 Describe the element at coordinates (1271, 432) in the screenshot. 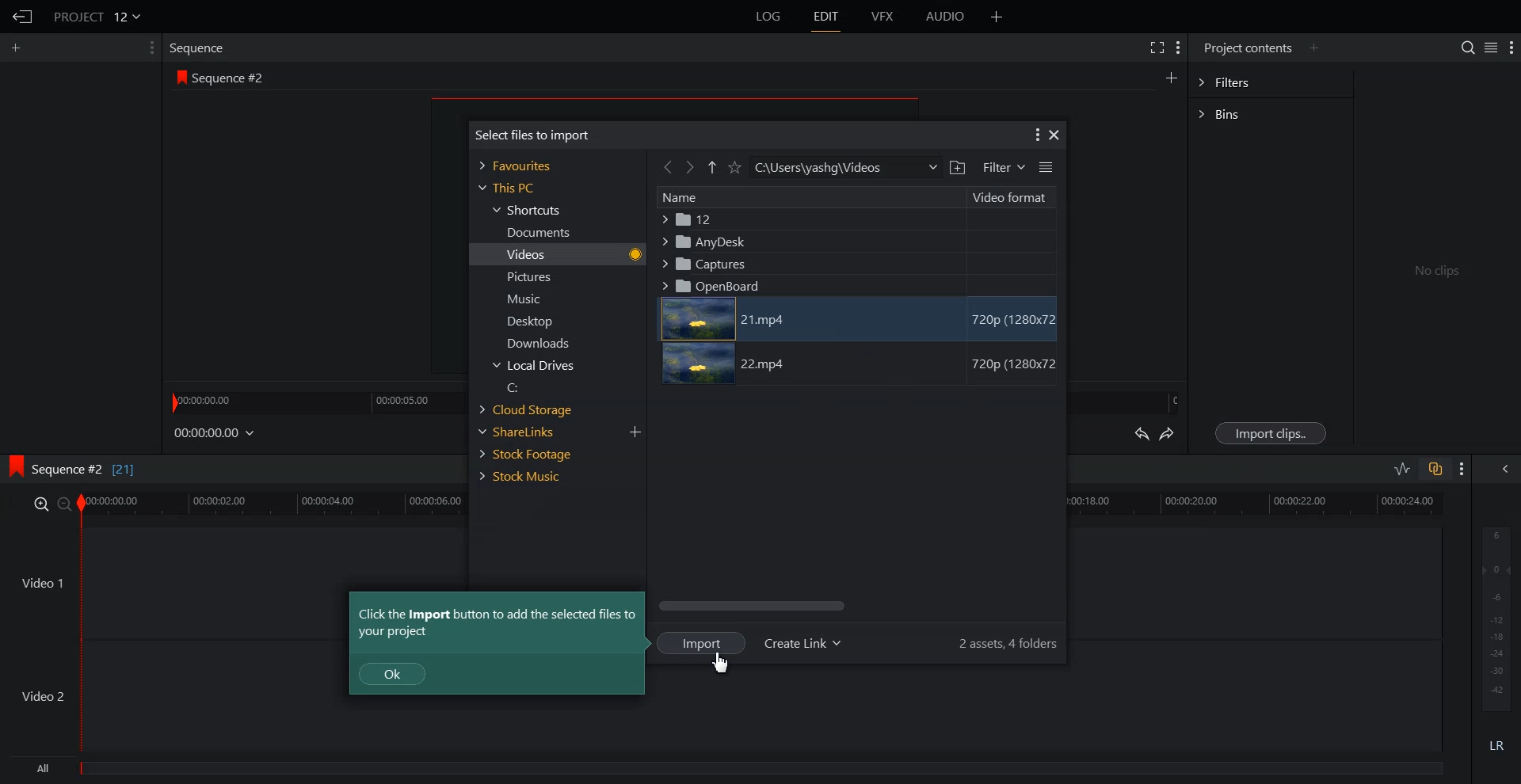

I see `Import Clips` at that location.